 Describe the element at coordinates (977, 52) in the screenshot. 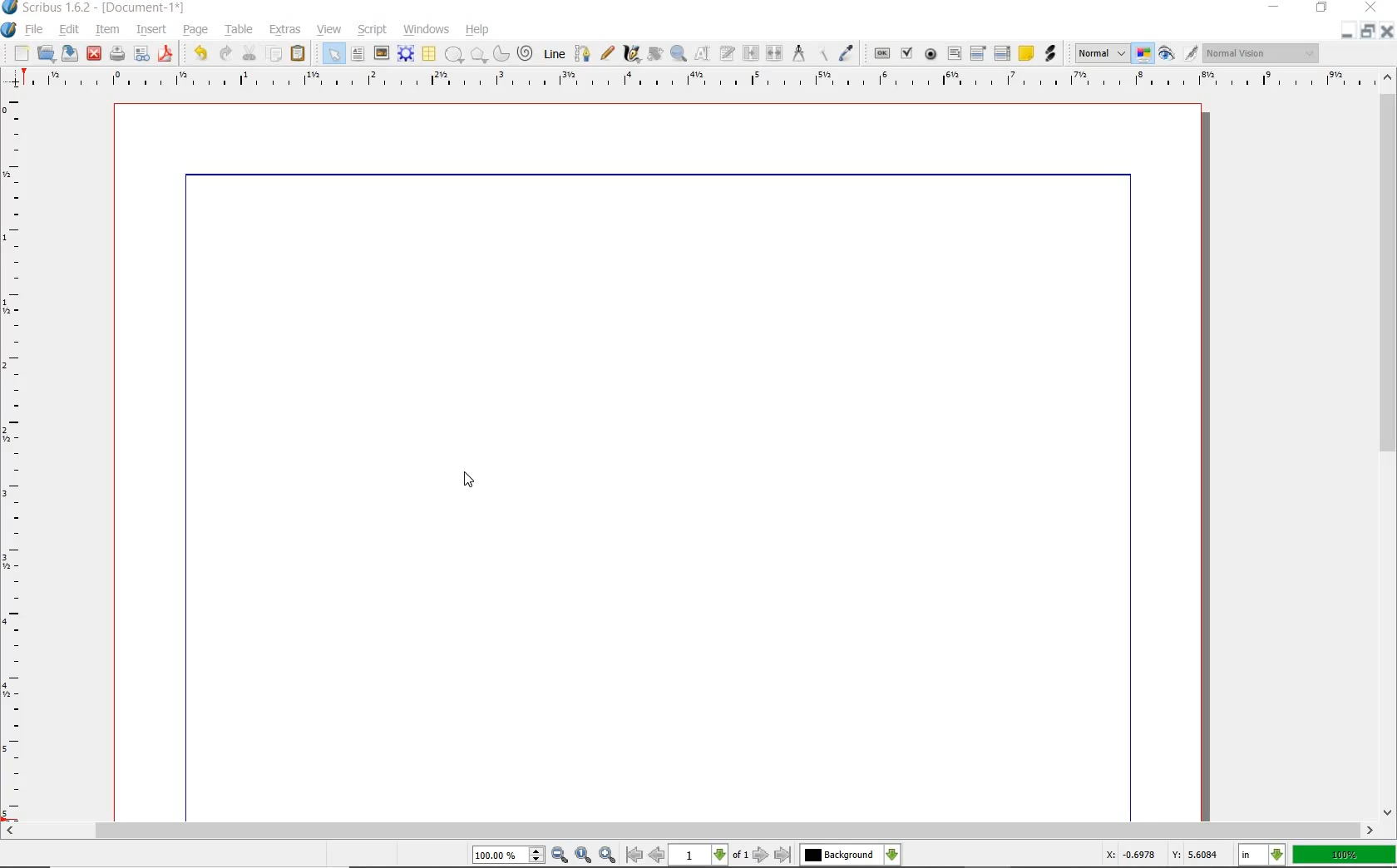

I see `PDF COMBO BOX` at that location.